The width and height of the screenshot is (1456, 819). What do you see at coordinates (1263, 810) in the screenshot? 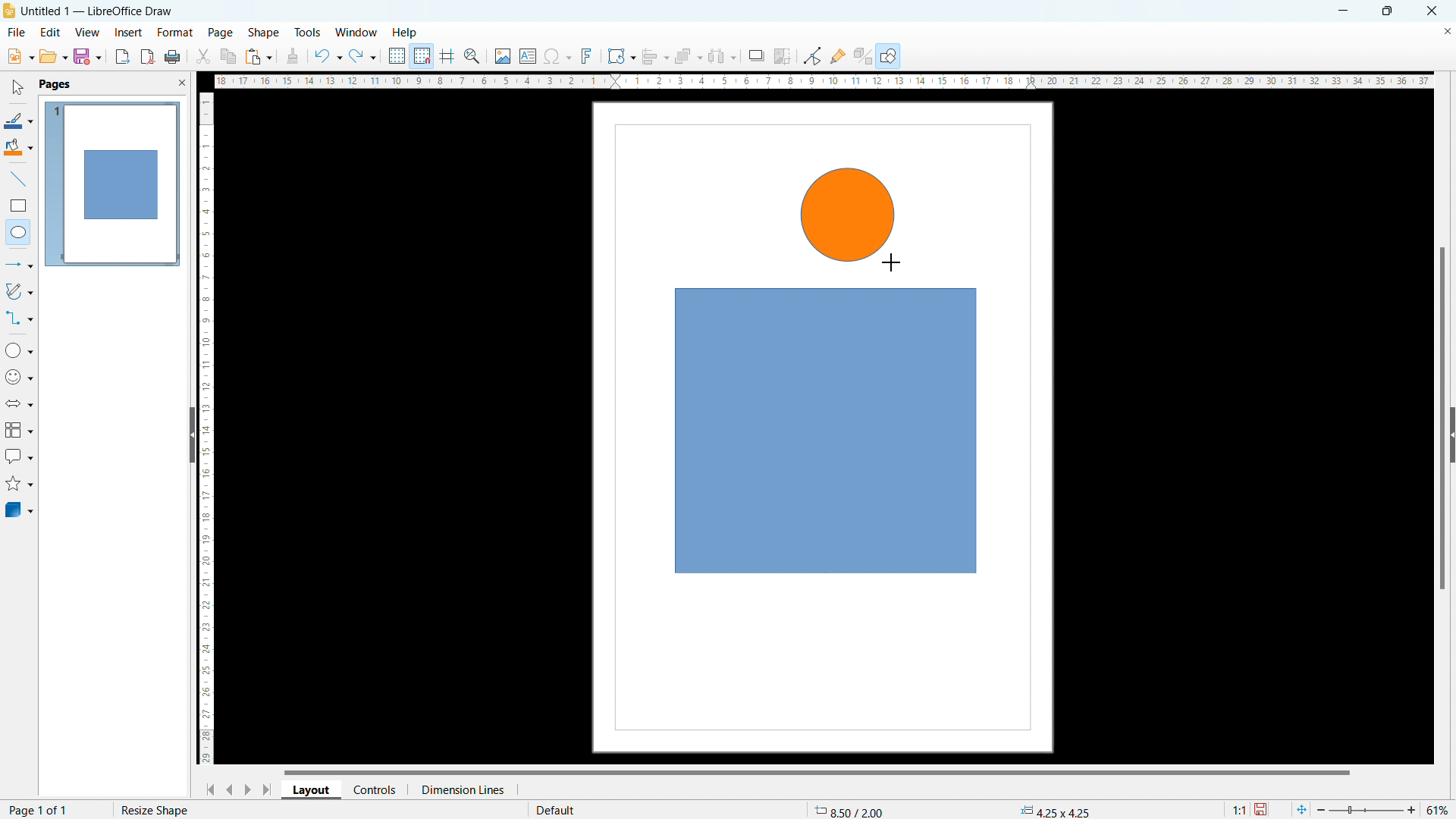
I see `save` at bounding box center [1263, 810].